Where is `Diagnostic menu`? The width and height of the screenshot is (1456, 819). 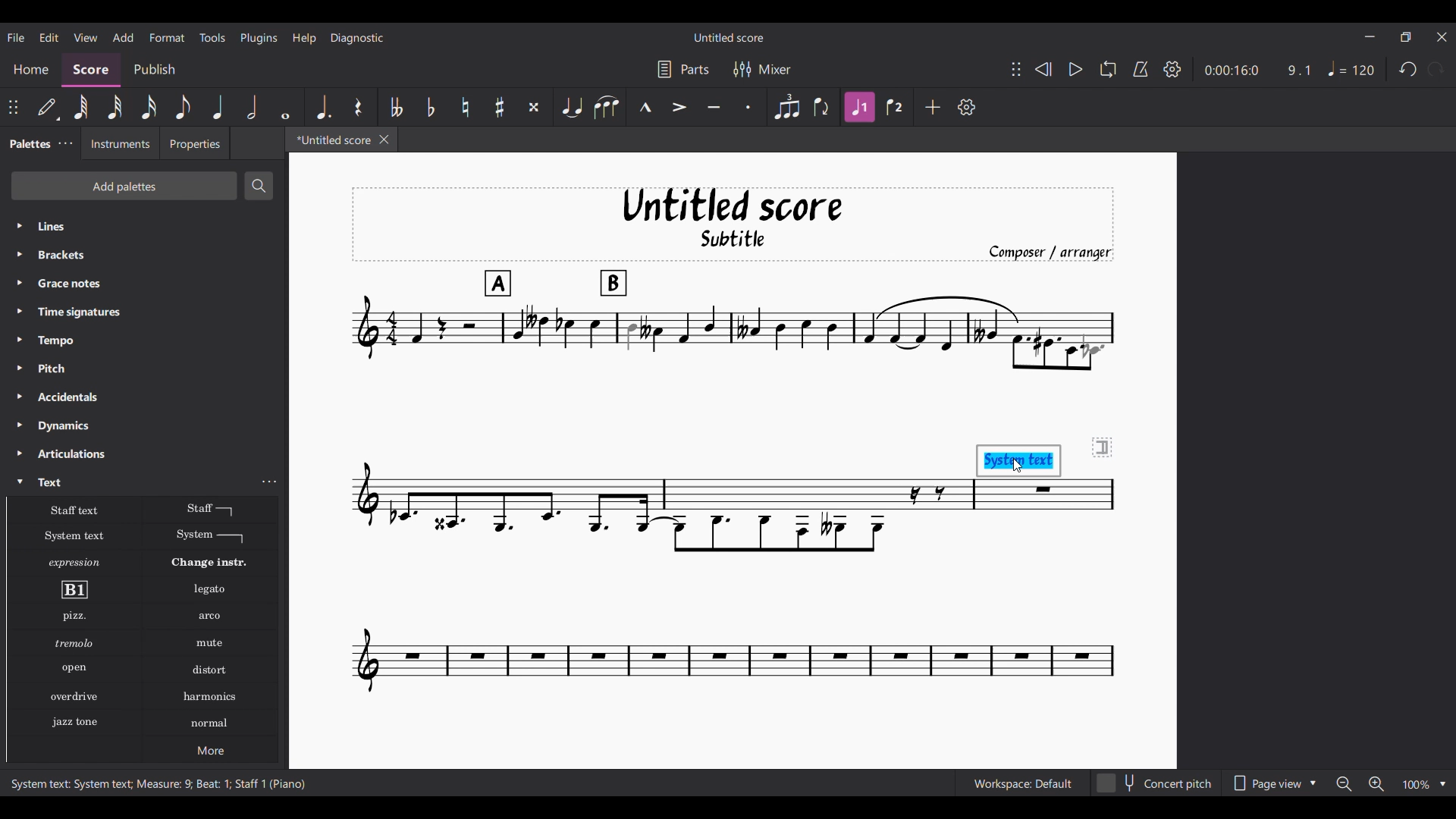 Diagnostic menu is located at coordinates (358, 38).